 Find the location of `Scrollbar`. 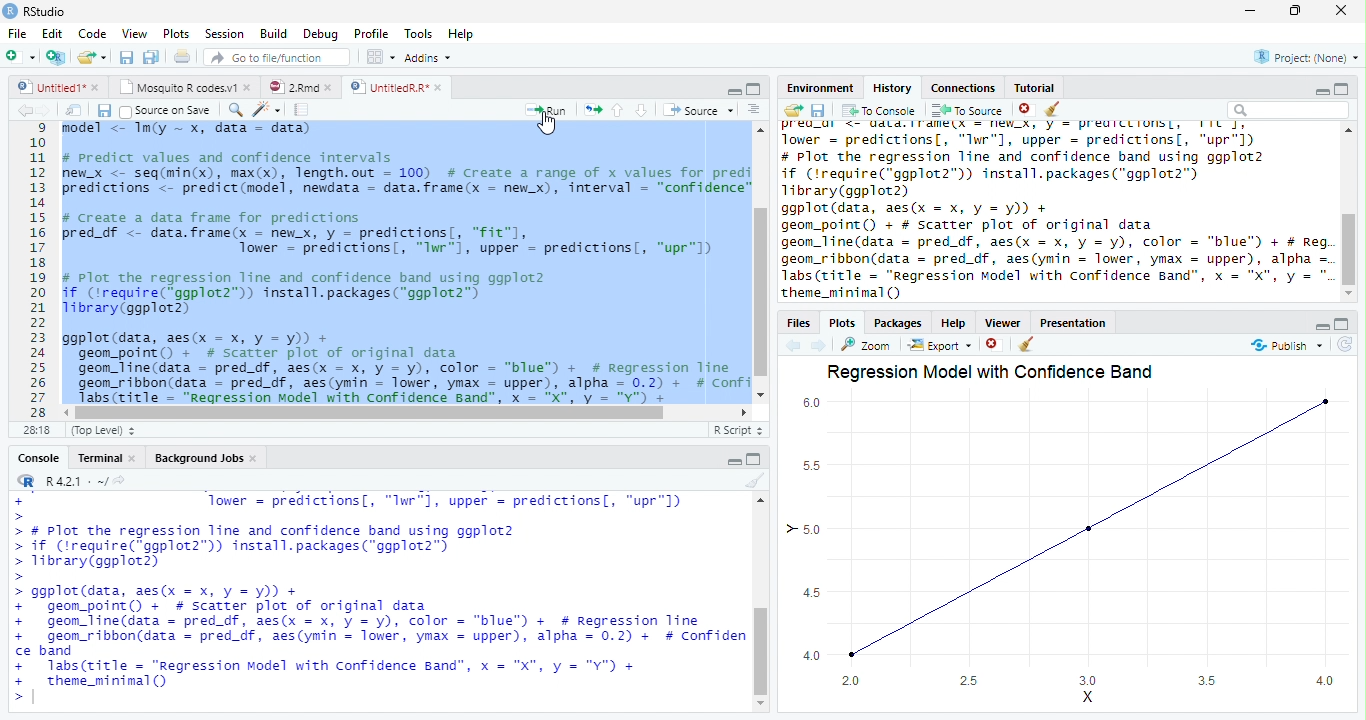

Scrollbar is located at coordinates (409, 412).